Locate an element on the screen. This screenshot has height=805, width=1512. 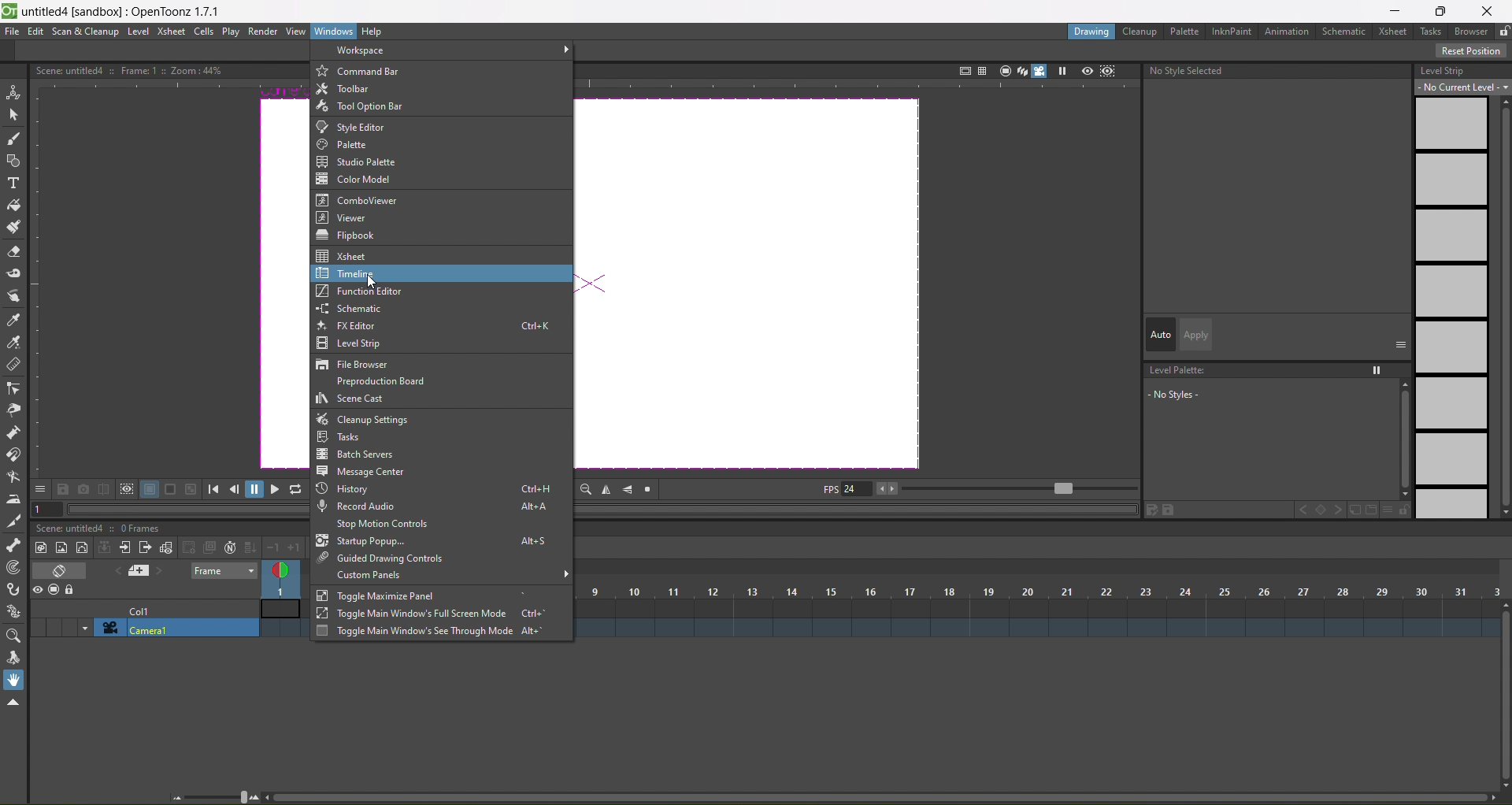
logo is located at coordinates (9, 9).